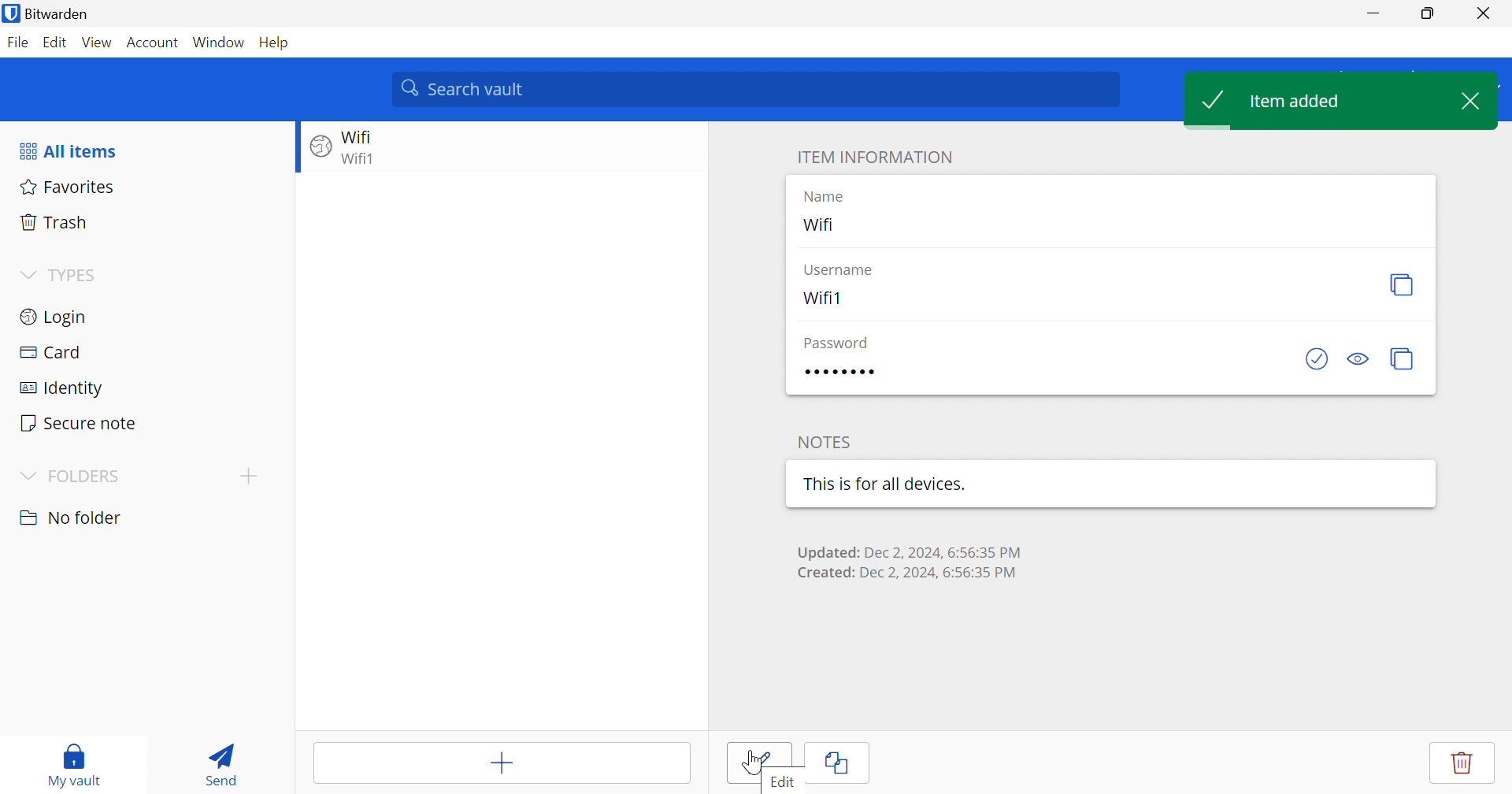  I want to click on Close, so click(1471, 100).